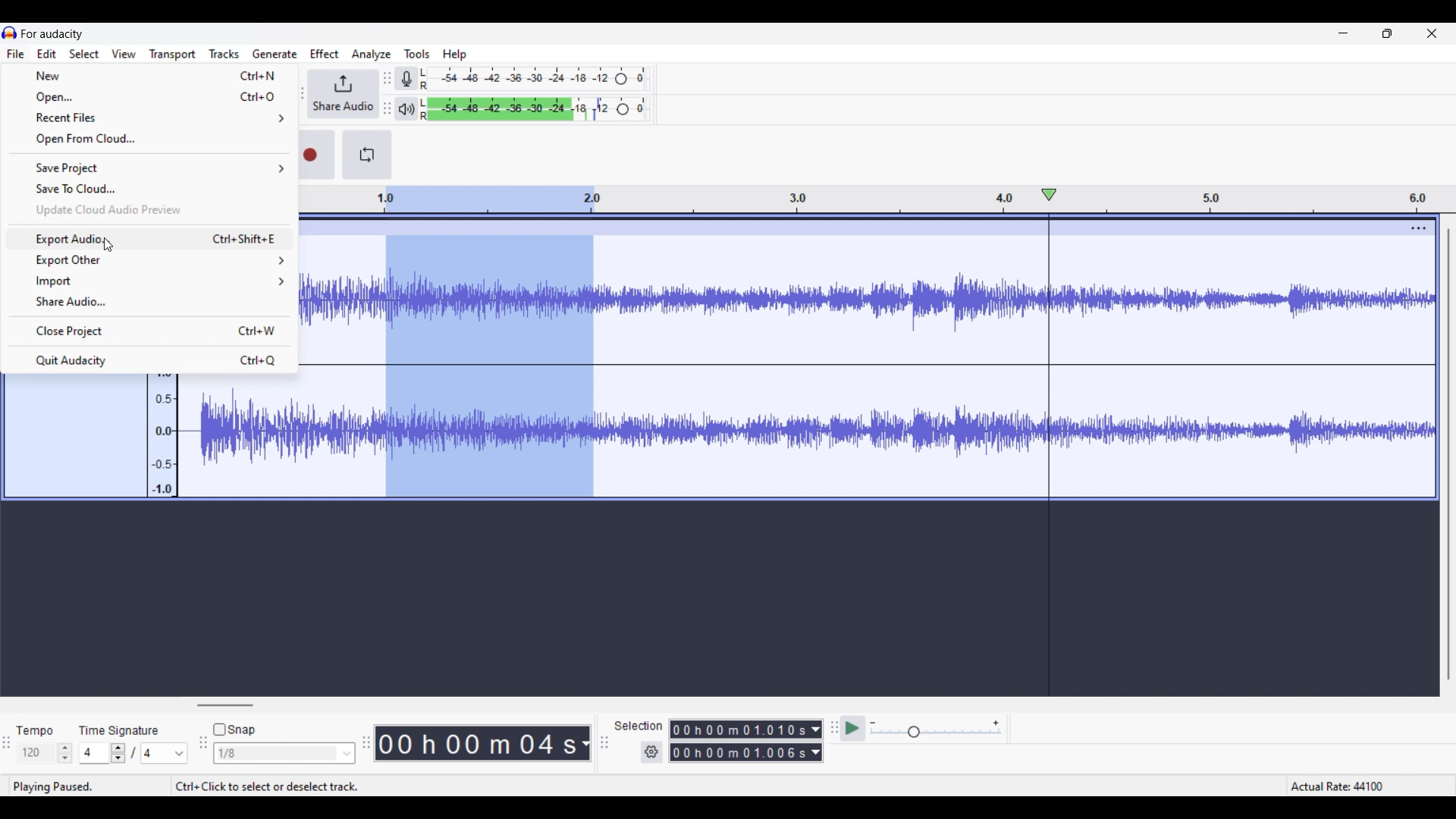 The height and width of the screenshot is (819, 1456). I want to click on Current track, so click(340, 359).